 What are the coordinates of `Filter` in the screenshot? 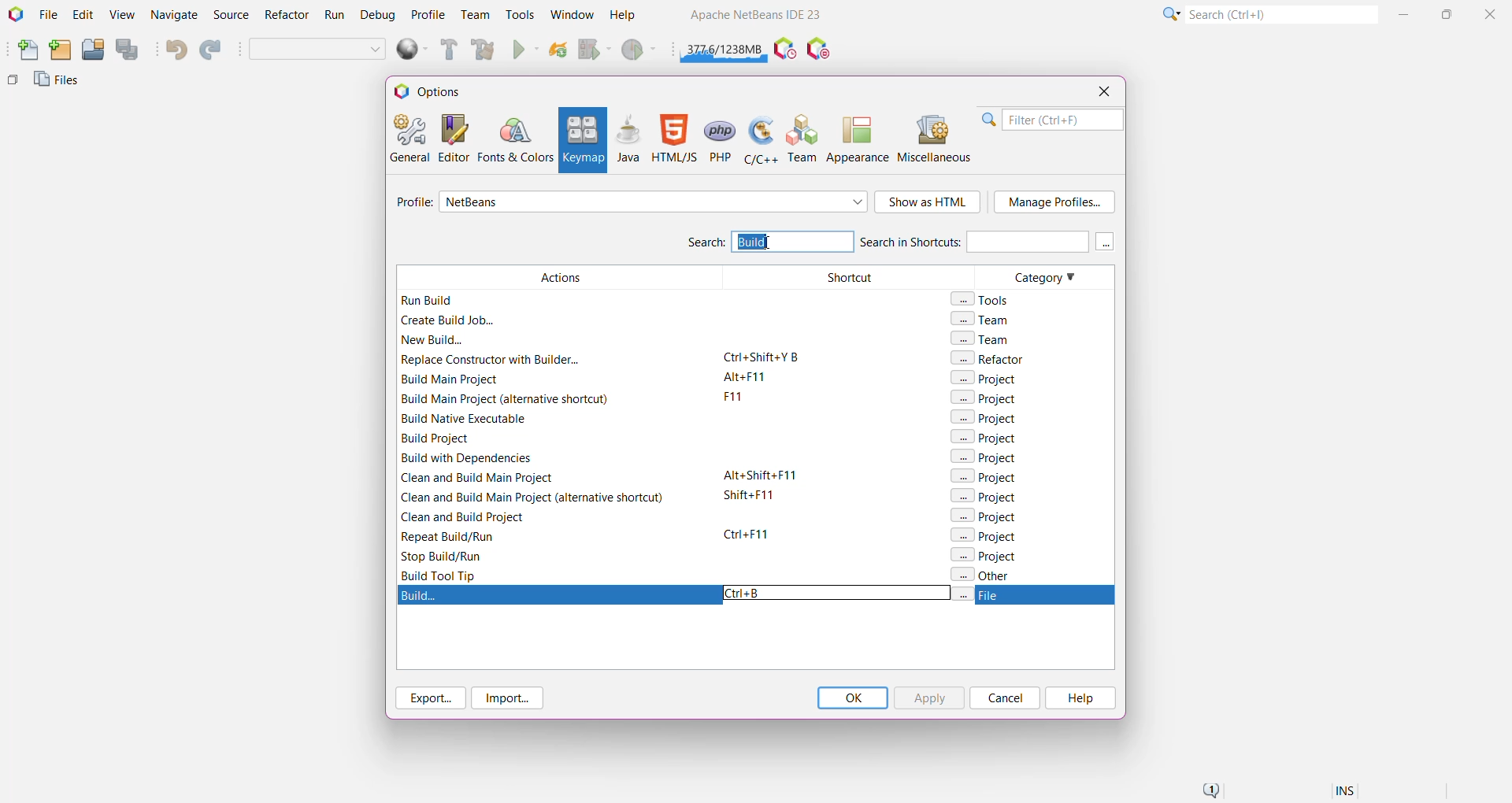 It's located at (1052, 120).